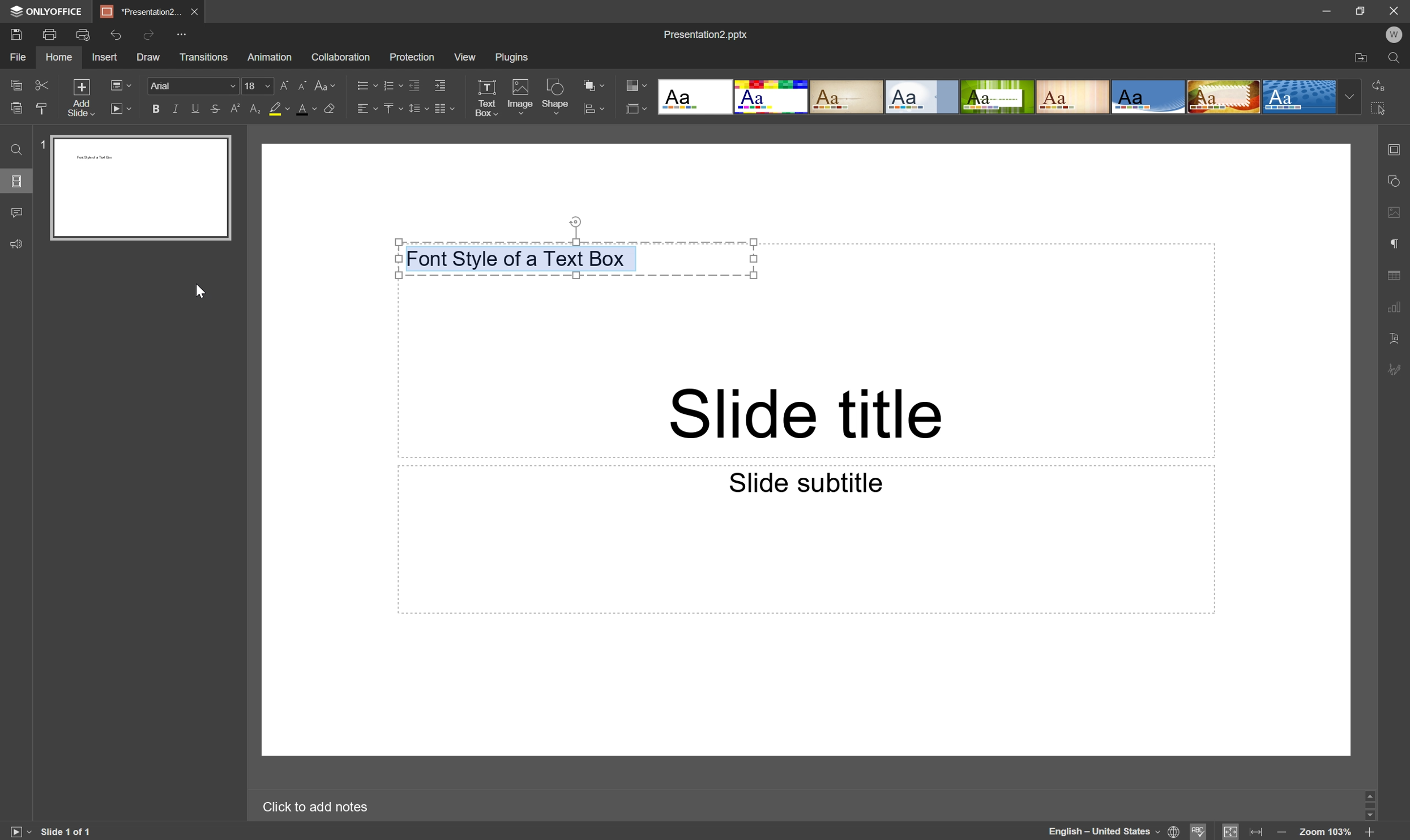 The height and width of the screenshot is (840, 1410). I want to click on 1, so click(43, 143).